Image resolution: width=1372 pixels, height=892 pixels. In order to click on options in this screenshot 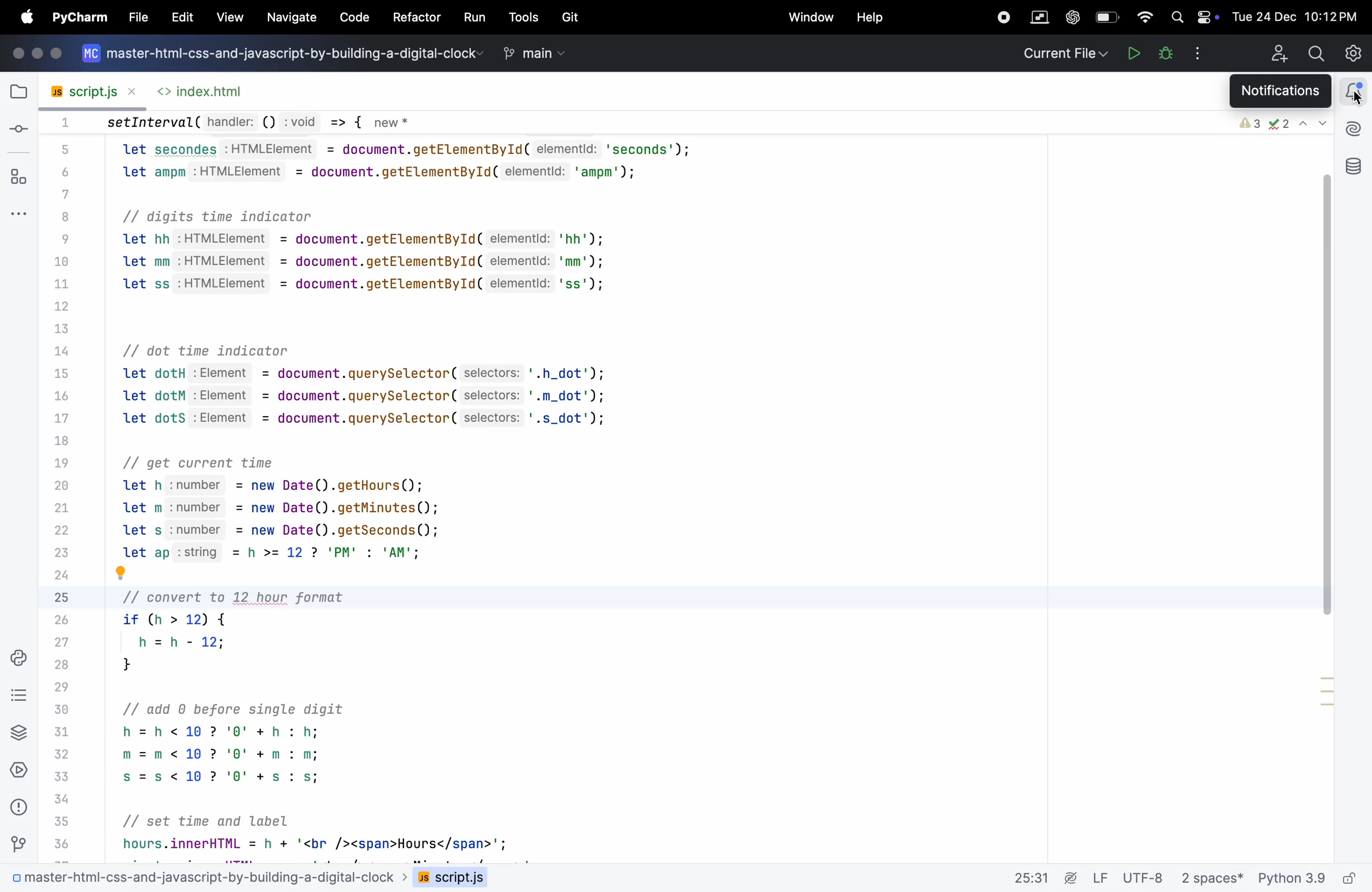, I will do `click(1197, 53)`.